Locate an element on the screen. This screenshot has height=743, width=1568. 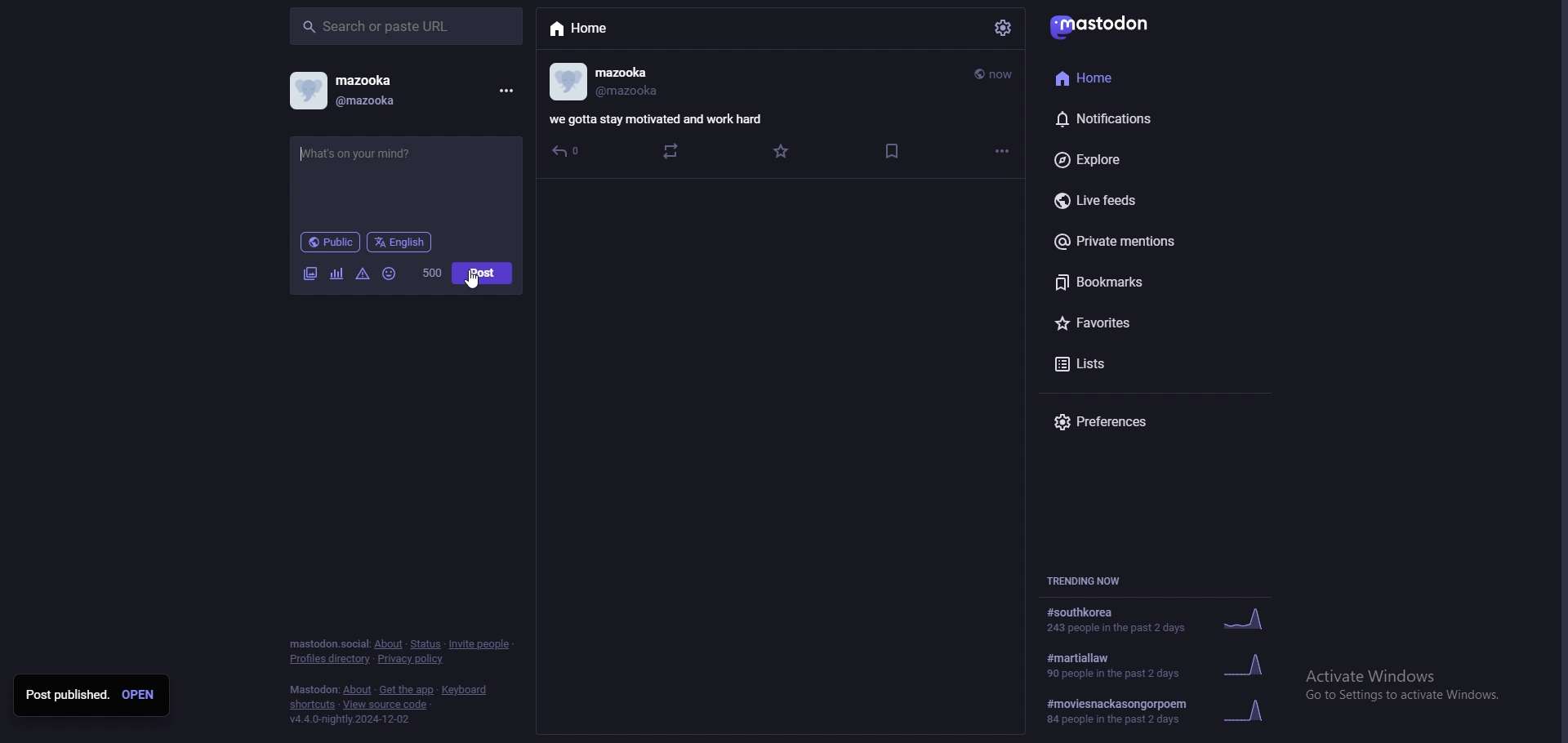
get the app is located at coordinates (407, 689).